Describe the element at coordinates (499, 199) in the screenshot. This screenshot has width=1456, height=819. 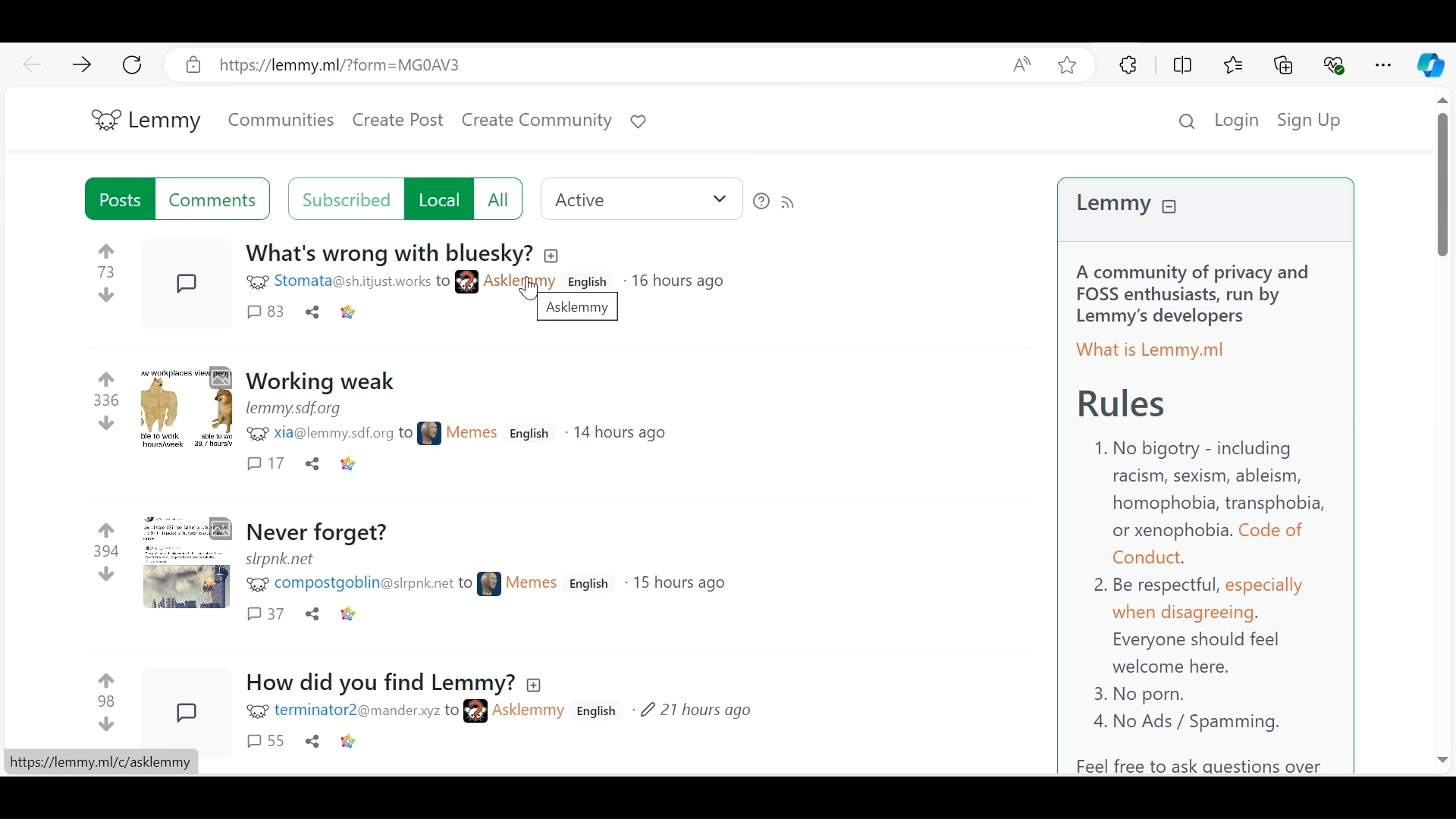
I see `All` at that location.